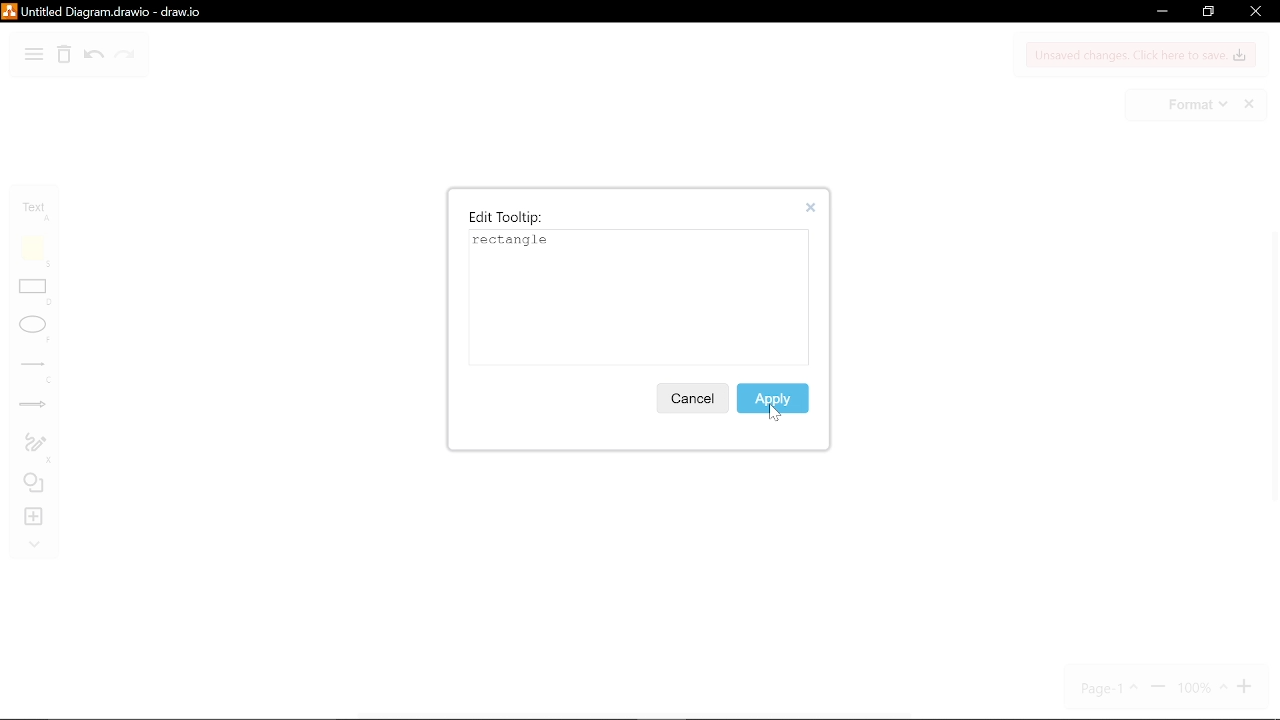 This screenshot has width=1280, height=720. What do you see at coordinates (34, 407) in the screenshot?
I see `arrows` at bounding box center [34, 407].